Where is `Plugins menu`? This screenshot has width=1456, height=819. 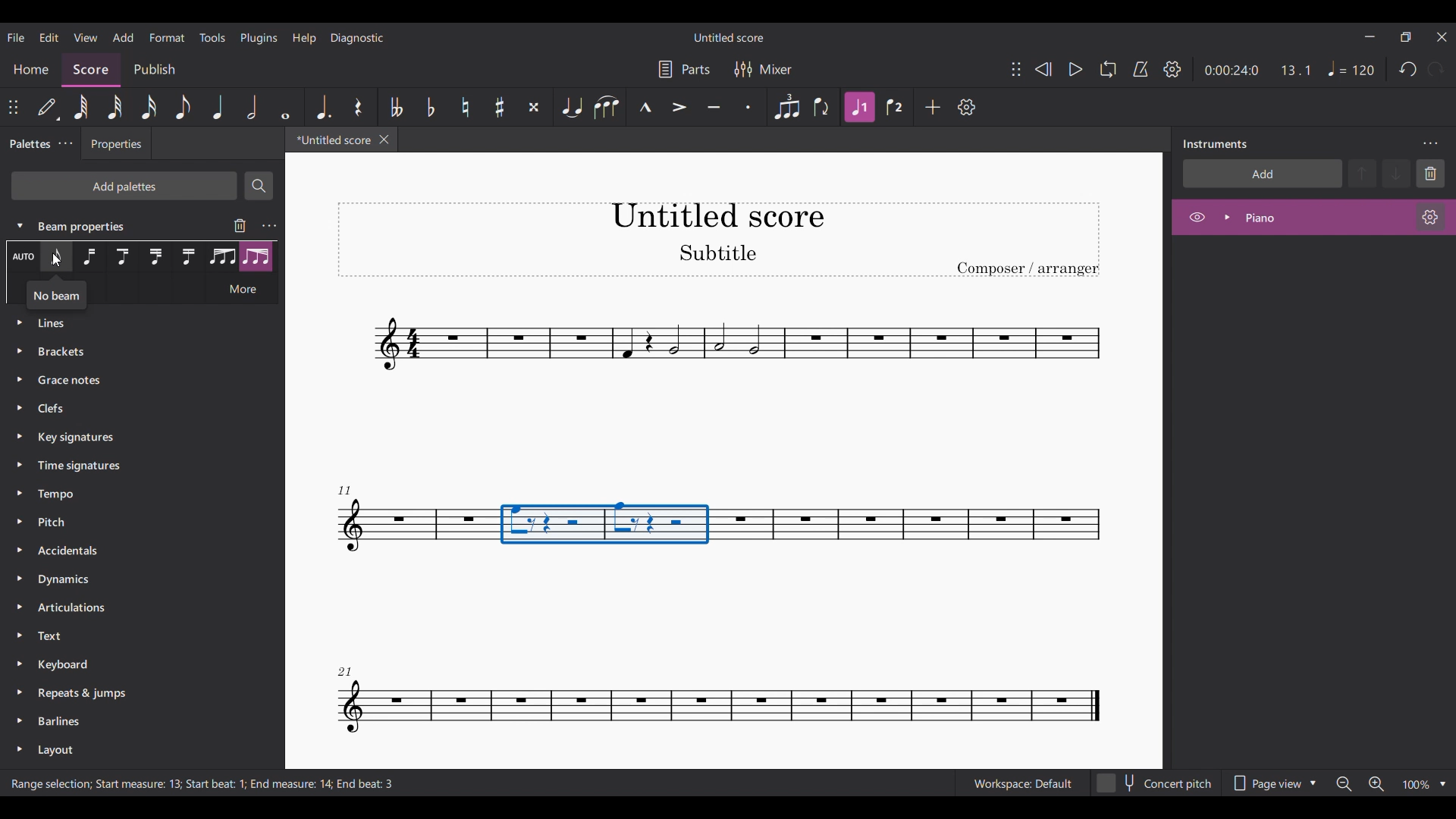
Plugins menu is located at coordinates (259, 39).